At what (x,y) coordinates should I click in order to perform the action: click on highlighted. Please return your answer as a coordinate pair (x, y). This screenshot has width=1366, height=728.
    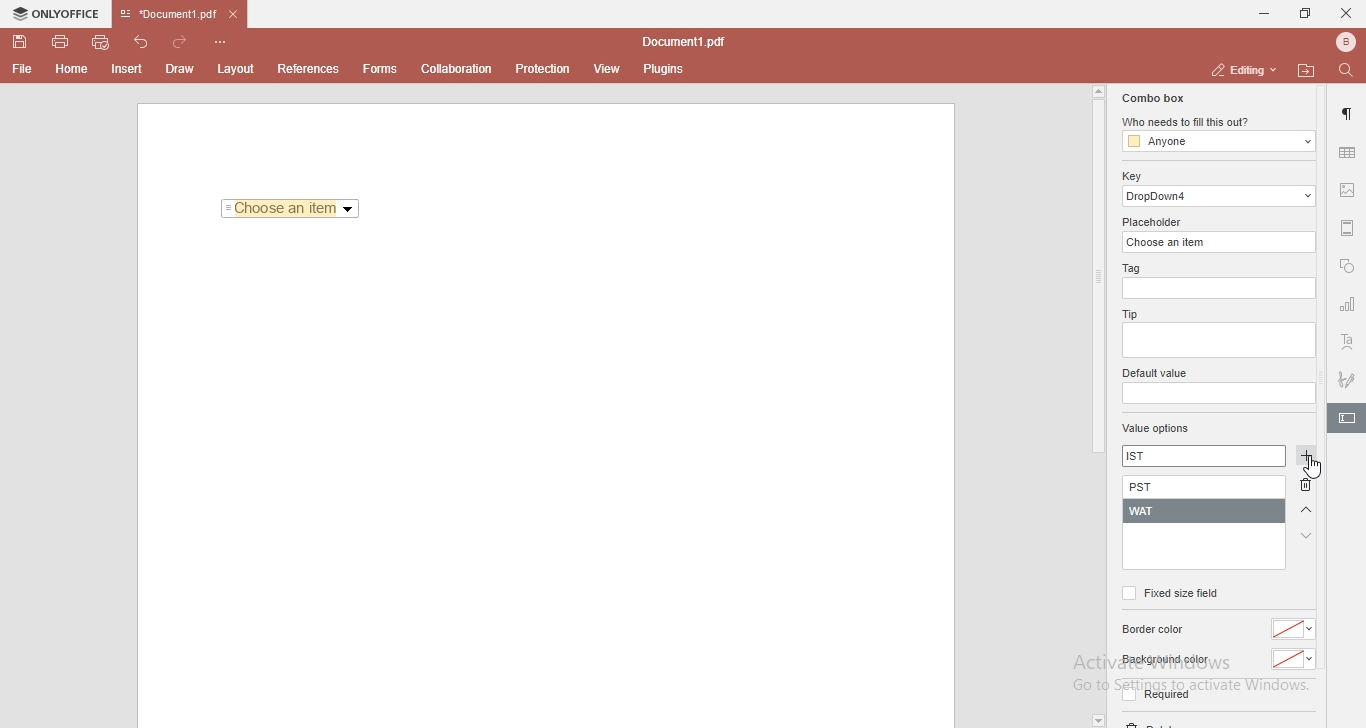
    Looking at the image, I should click on (1346, 420).